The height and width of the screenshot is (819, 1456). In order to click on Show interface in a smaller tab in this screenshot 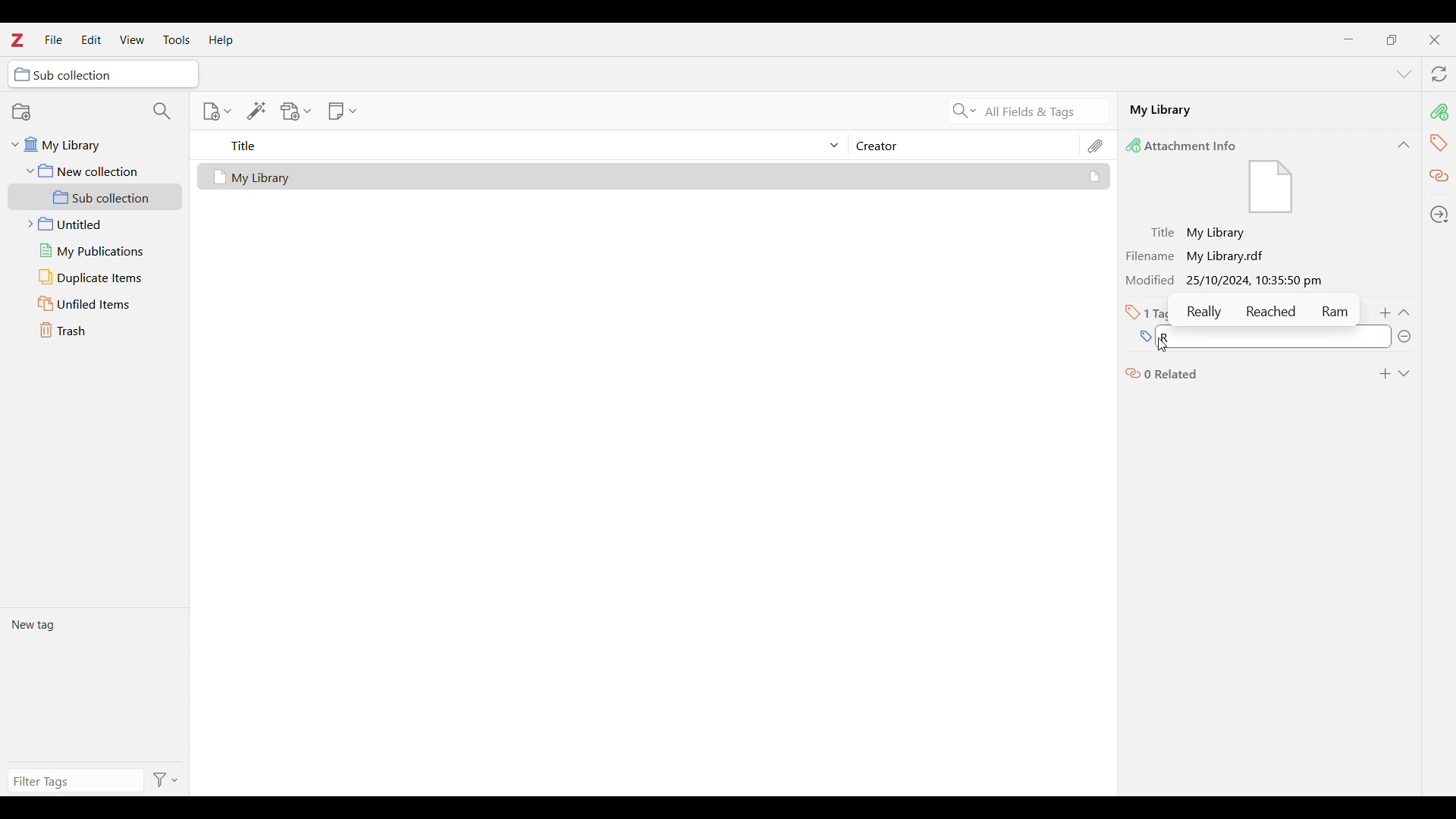, I will do `click(1392, 39)`.